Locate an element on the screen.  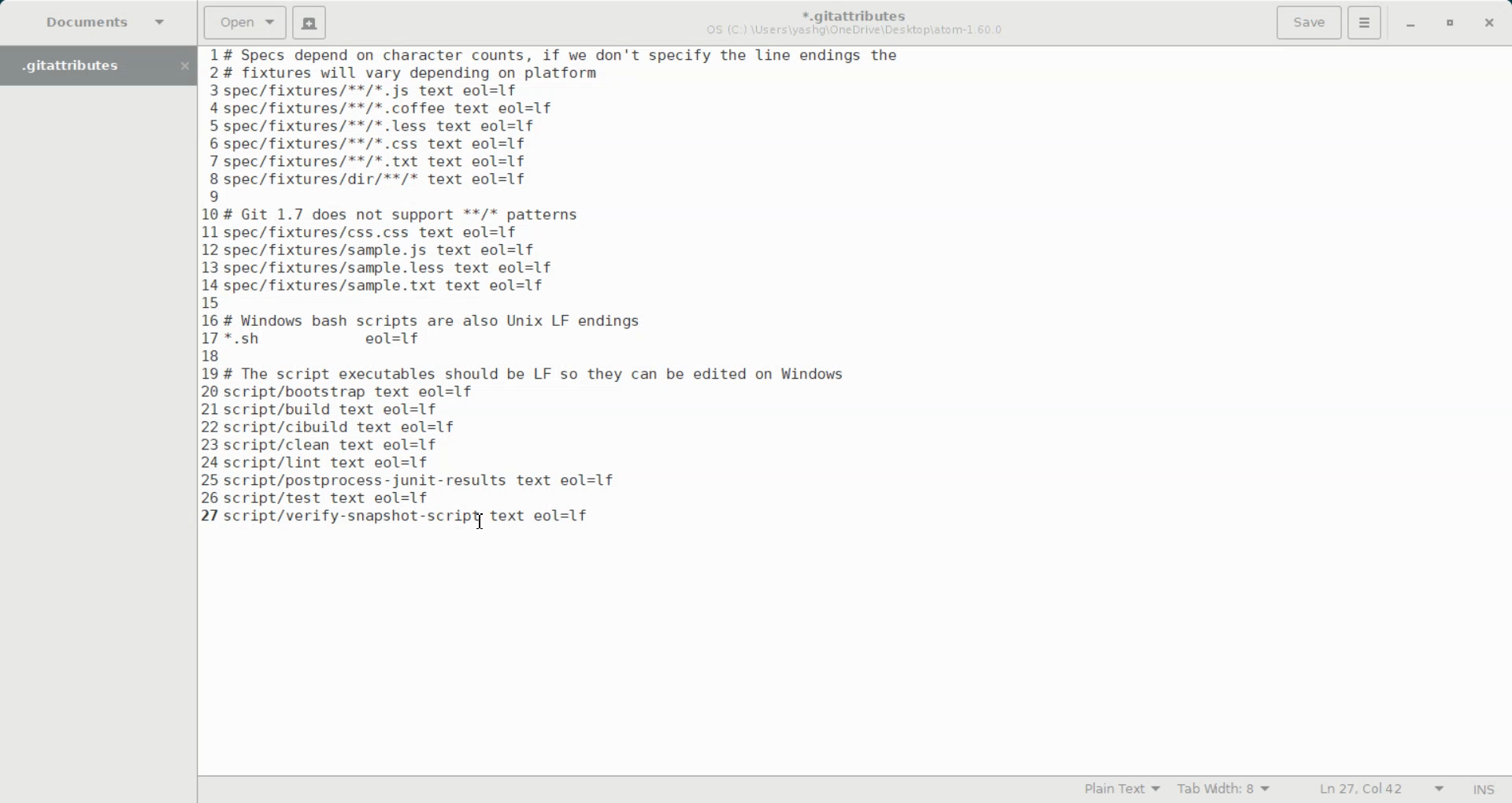
Close Folder is located at coordinates (183, 66).